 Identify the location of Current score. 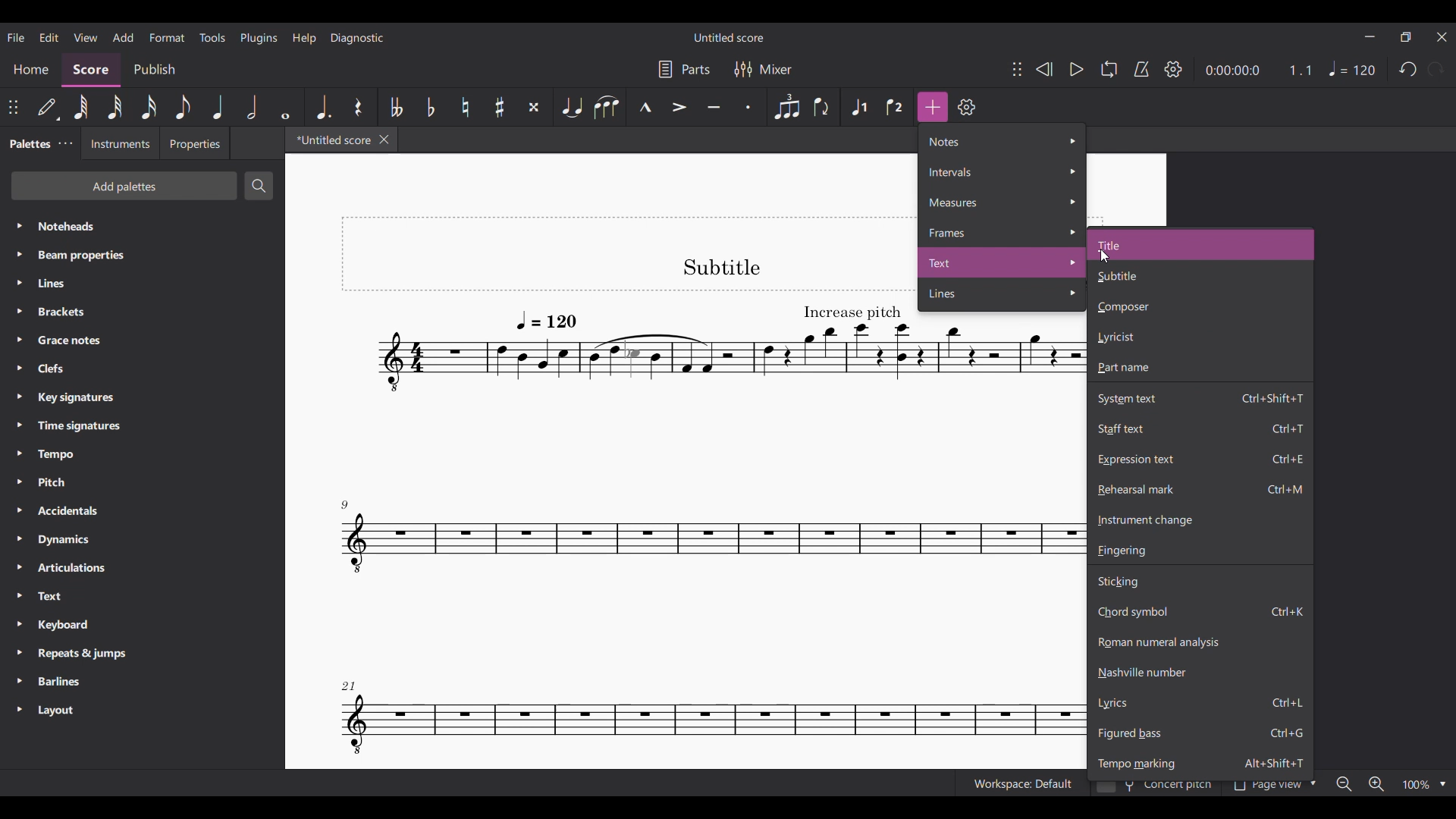
(629, 493).